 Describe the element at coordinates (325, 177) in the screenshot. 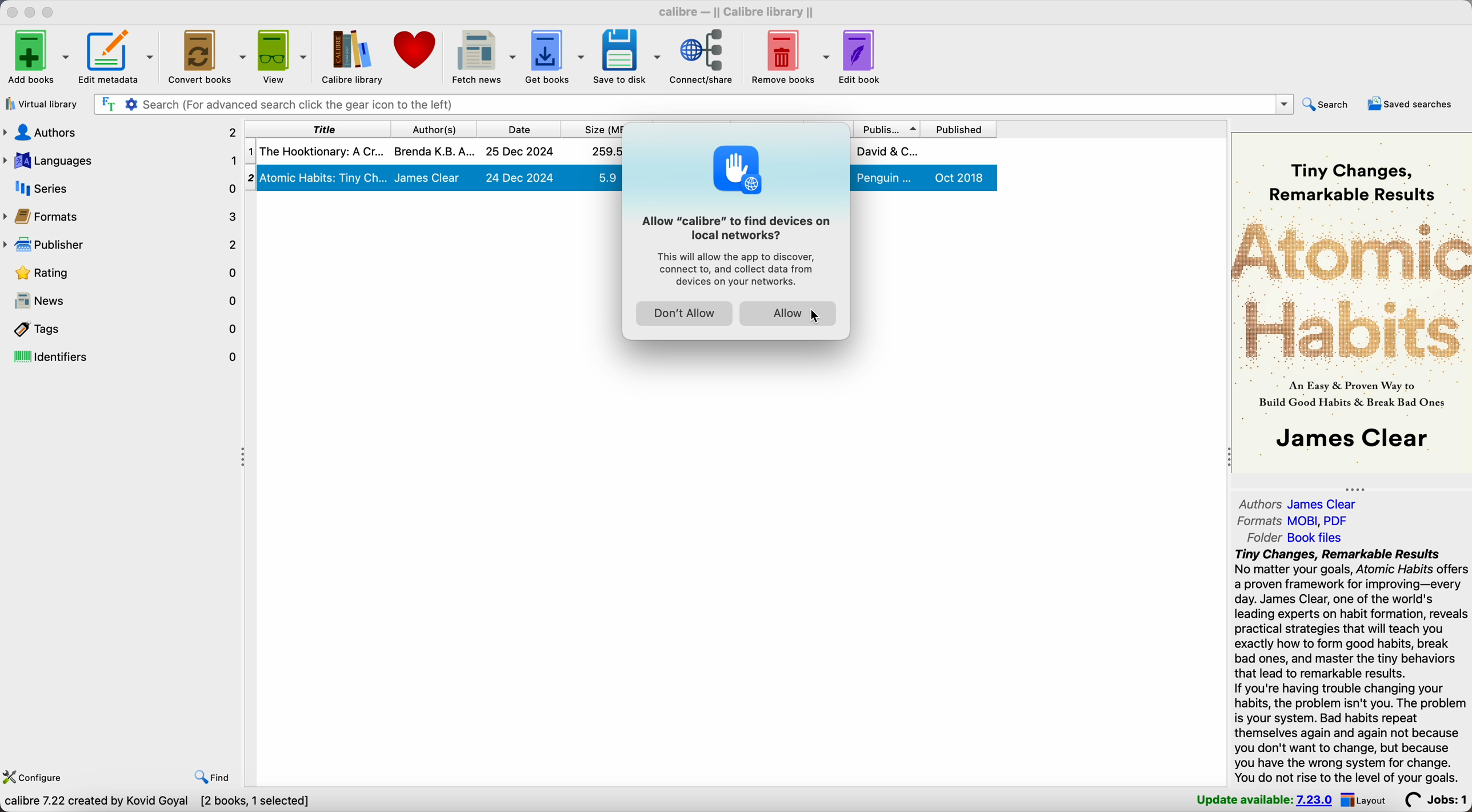

I see `2| Atomic Habits: Tiny Ch...` at that location.